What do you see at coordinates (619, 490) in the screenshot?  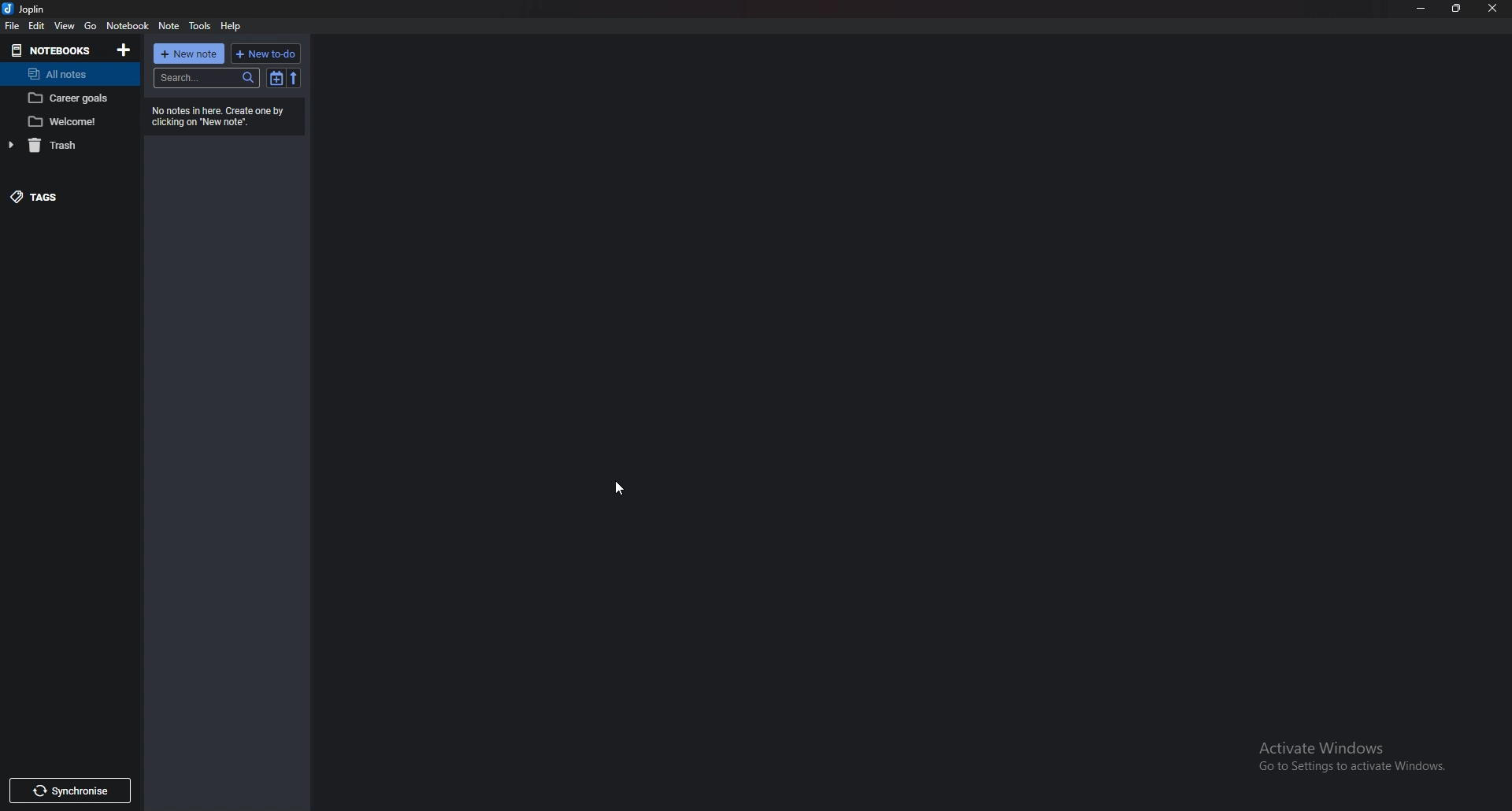 I see `cursor` at bounding box center [619, 490].